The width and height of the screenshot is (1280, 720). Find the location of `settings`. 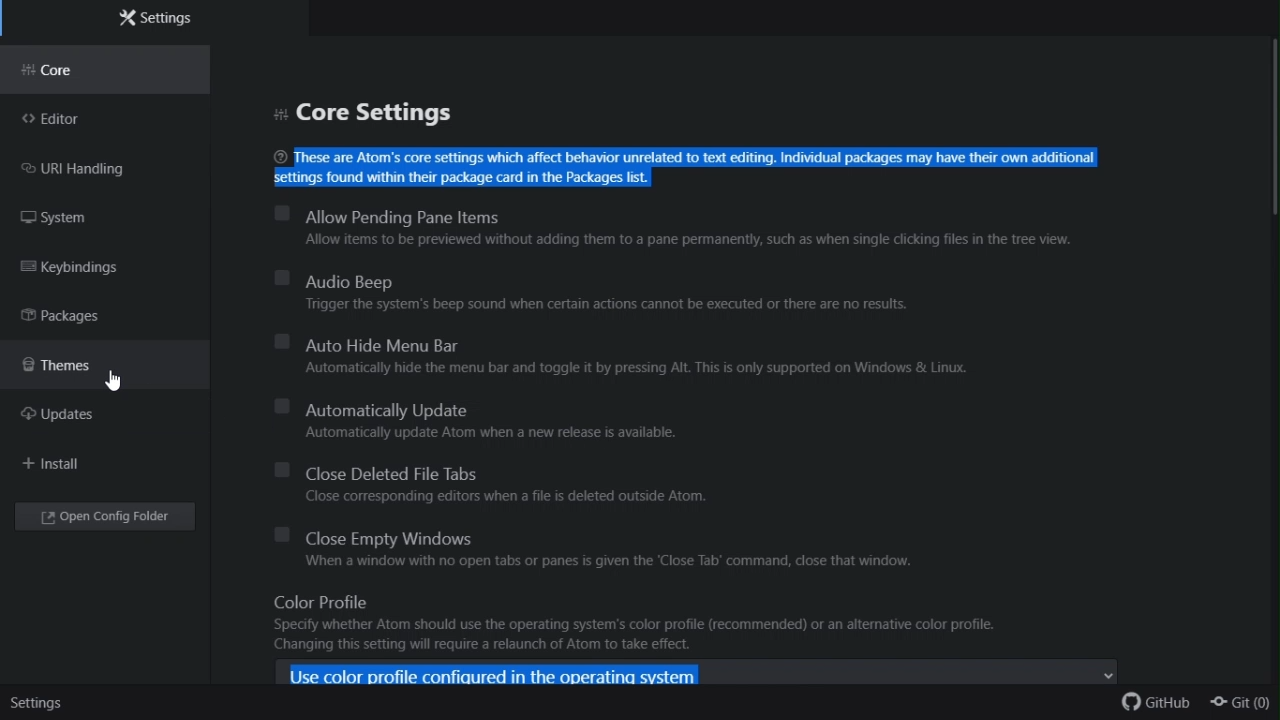

settings is located at coordinates (37, 704).